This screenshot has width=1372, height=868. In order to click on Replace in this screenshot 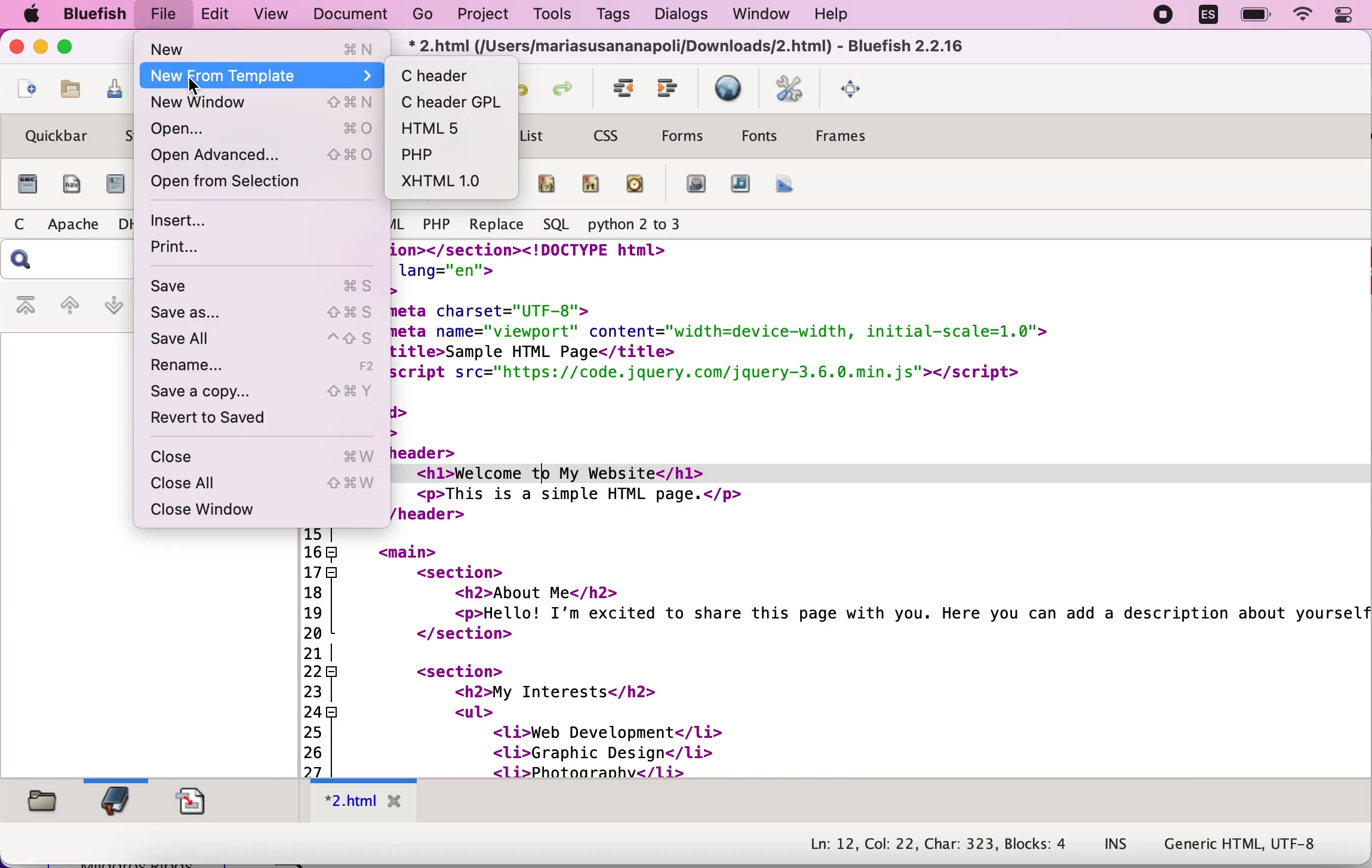, I will do `click(497, 225)`.